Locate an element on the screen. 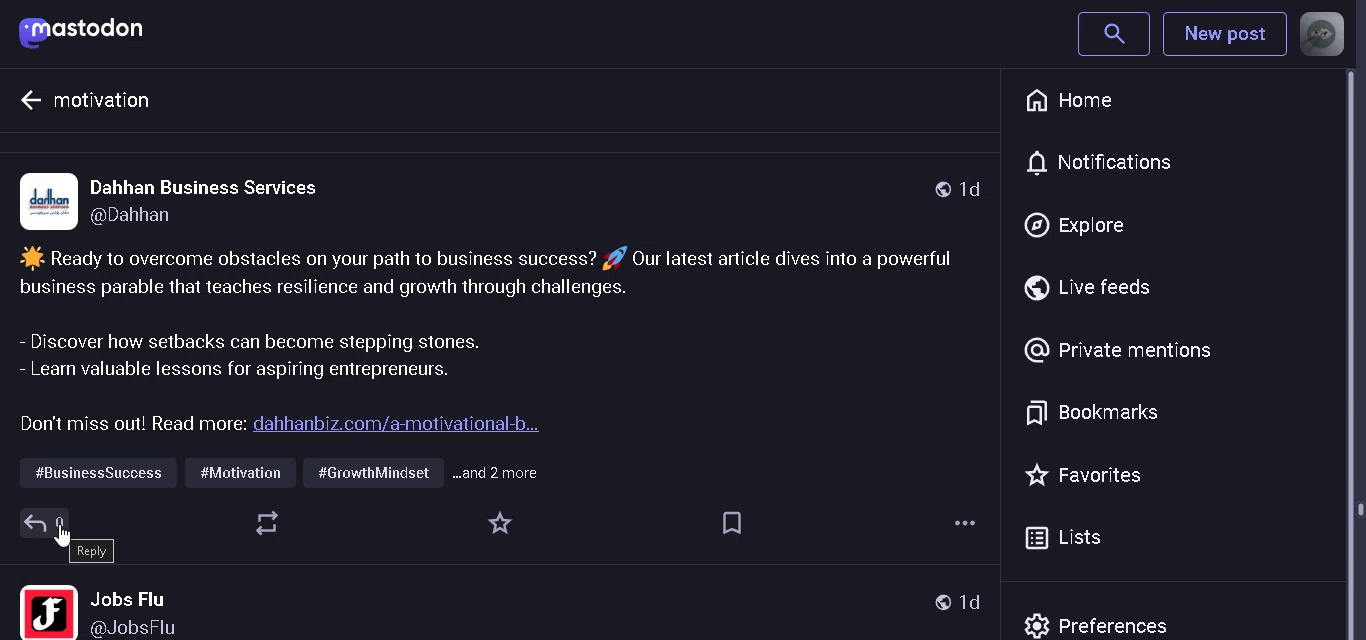  reply or comment is located at coordinates (42, 523).